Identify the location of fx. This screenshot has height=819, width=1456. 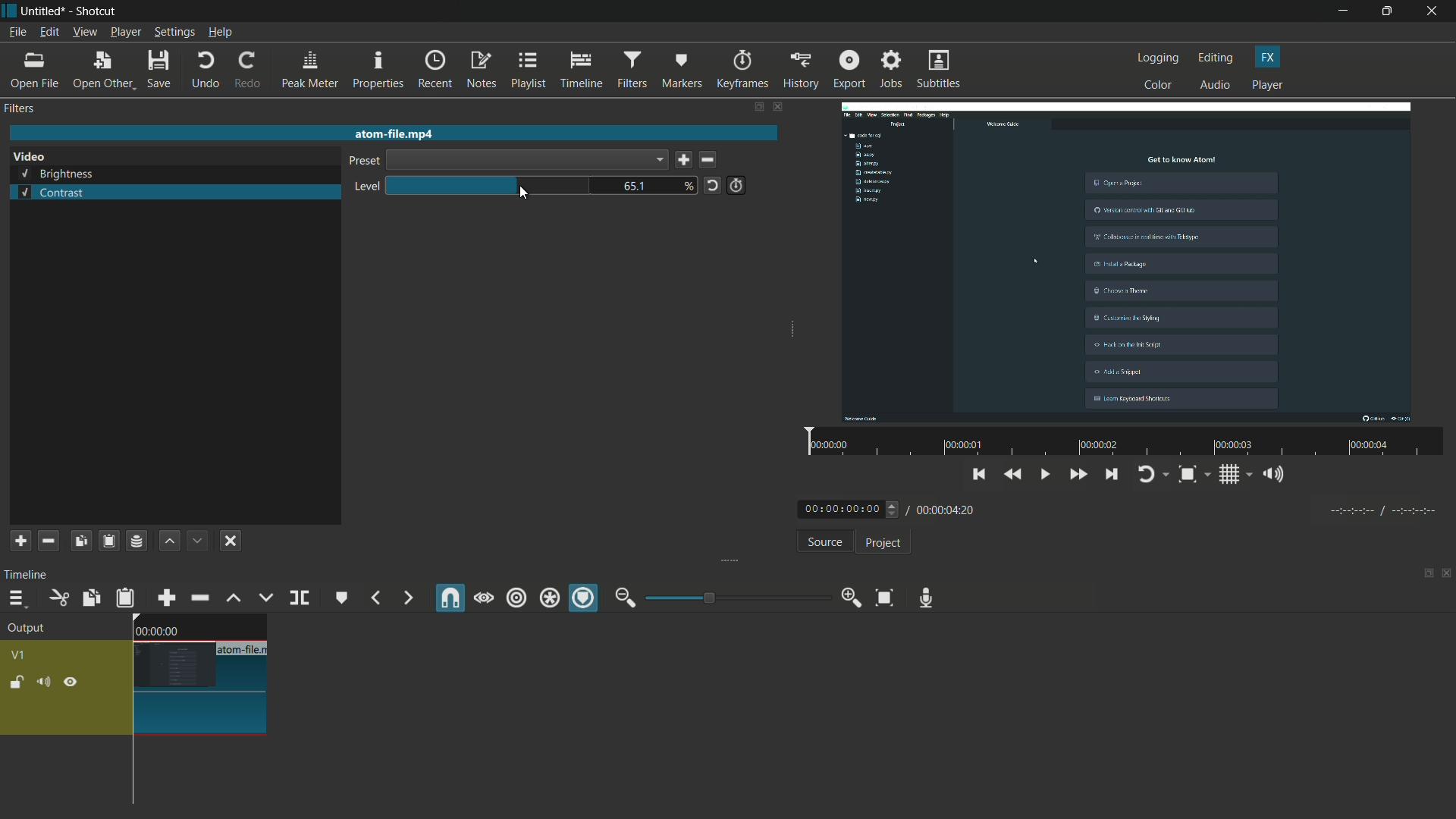
(1268, 57).